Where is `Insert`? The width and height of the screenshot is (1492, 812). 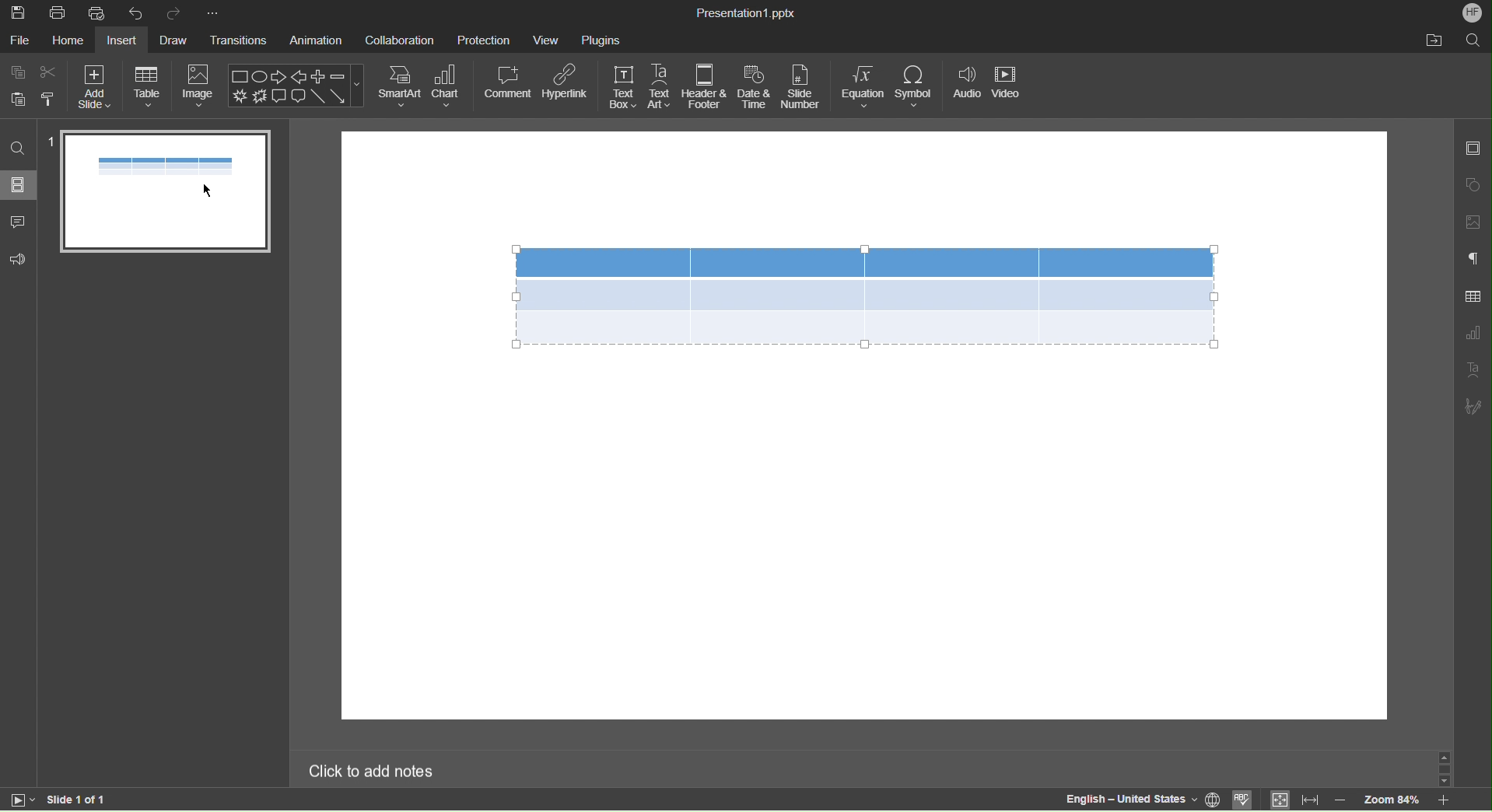 Insert is located at coordinates (124, 42).